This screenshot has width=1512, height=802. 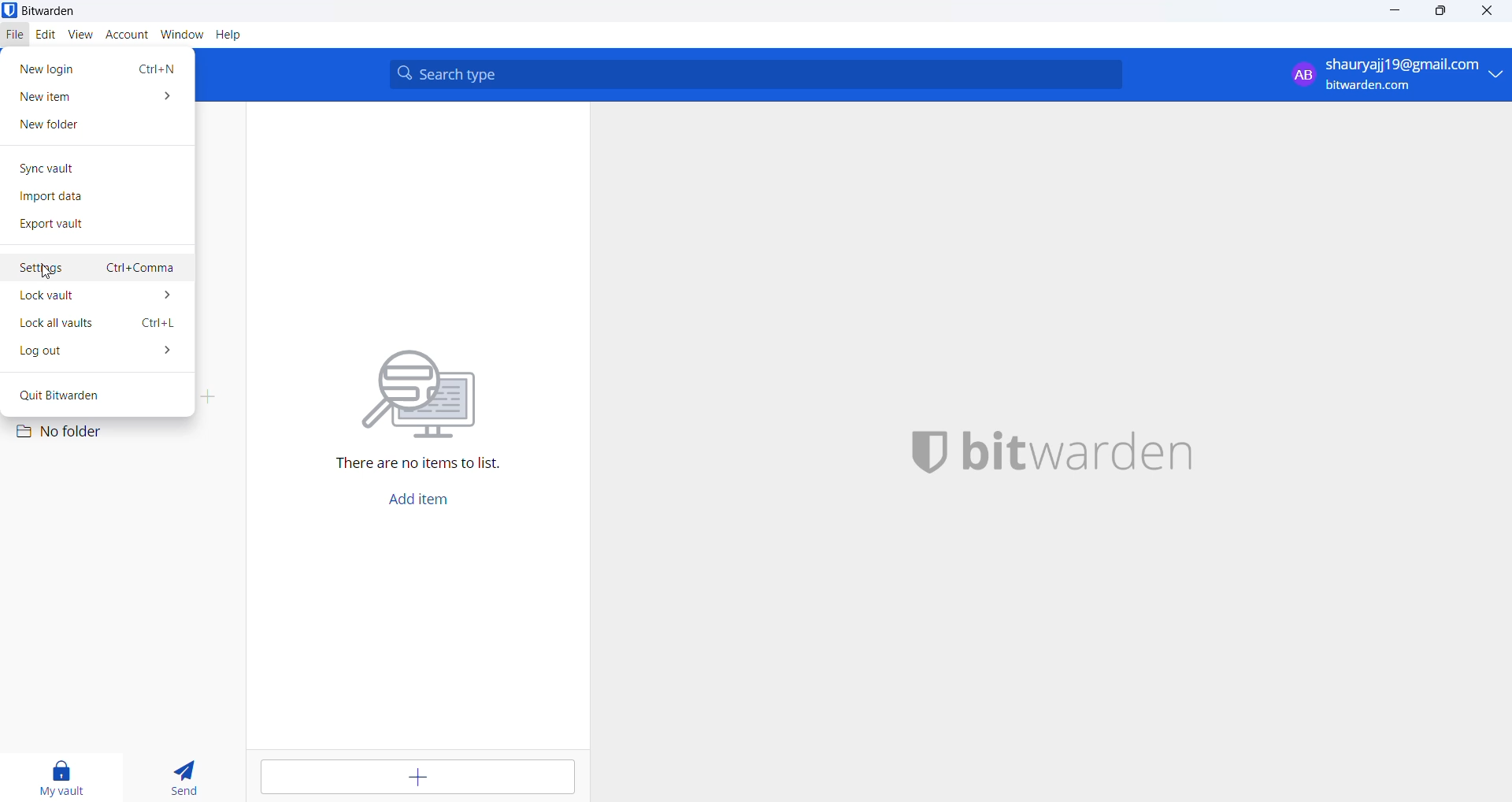 What do you see at coordinates (16, 36) in the screenshot?
I see `file` at bounding box center [16, 36].